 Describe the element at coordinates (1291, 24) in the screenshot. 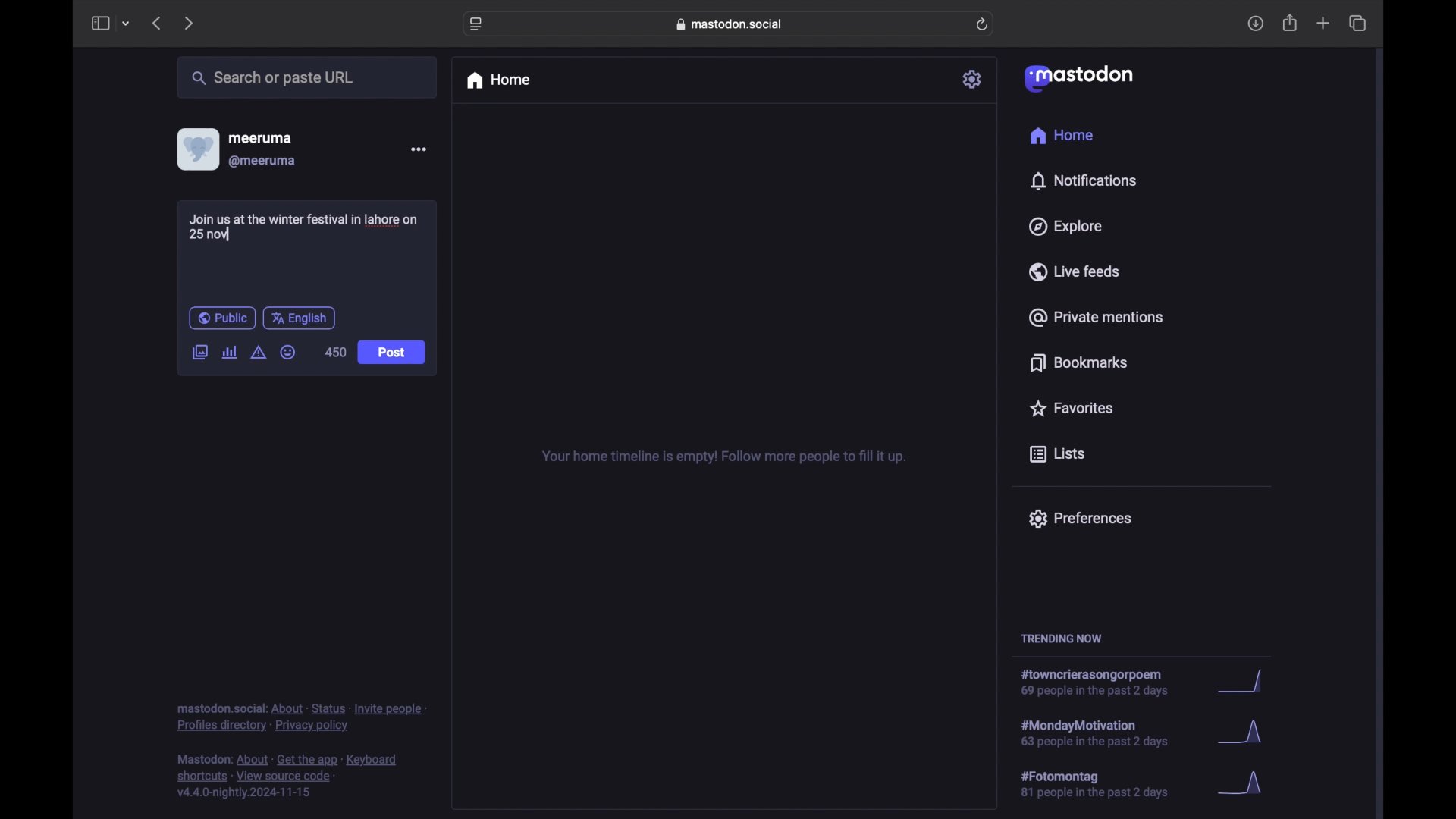

I see `share` at that location.